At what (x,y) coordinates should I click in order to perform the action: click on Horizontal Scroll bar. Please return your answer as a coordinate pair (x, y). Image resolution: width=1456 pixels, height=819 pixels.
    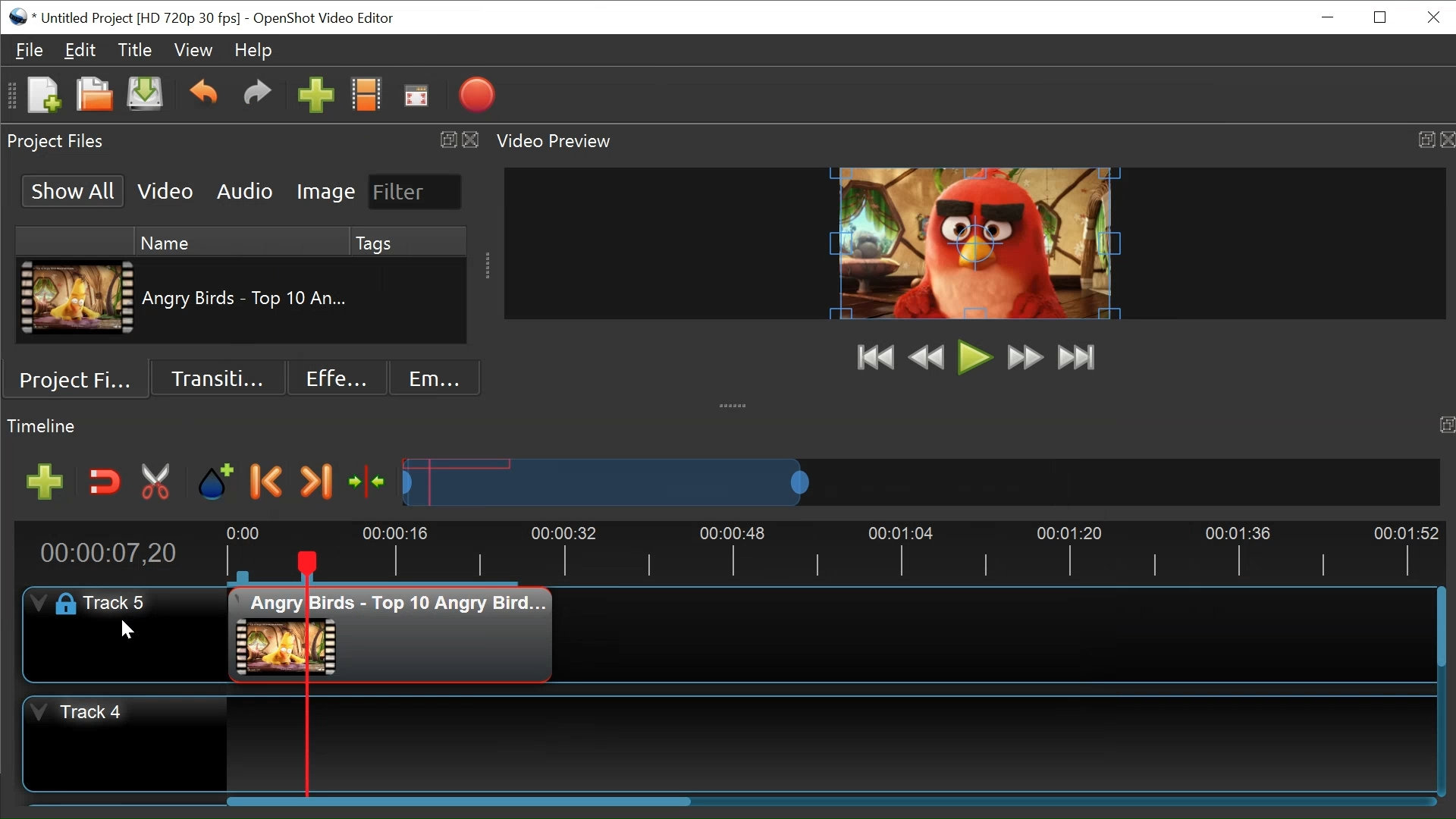
    Looking at the image, I should click on (457, 802).